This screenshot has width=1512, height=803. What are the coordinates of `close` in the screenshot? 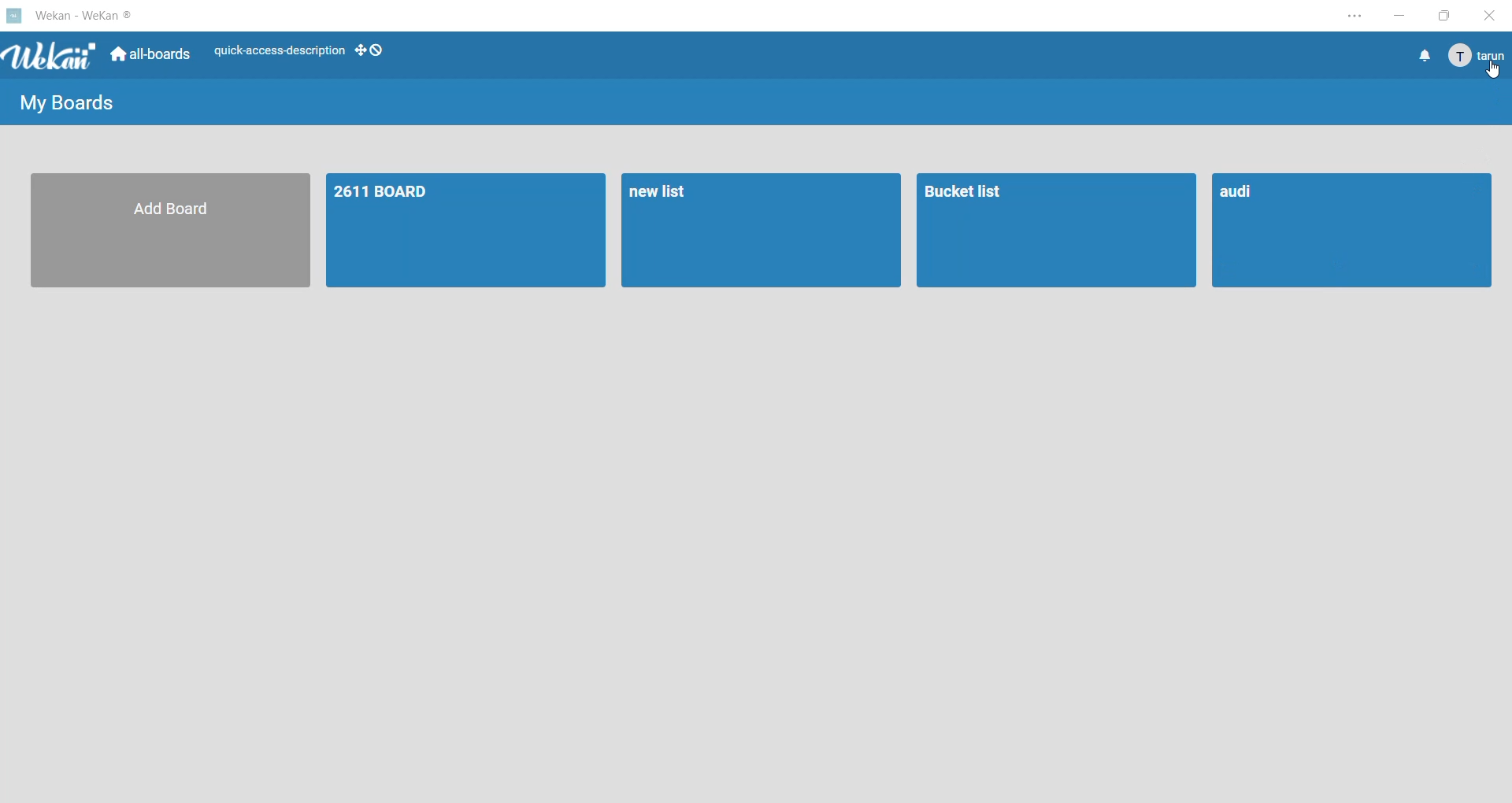 It's located at (1488, 14).